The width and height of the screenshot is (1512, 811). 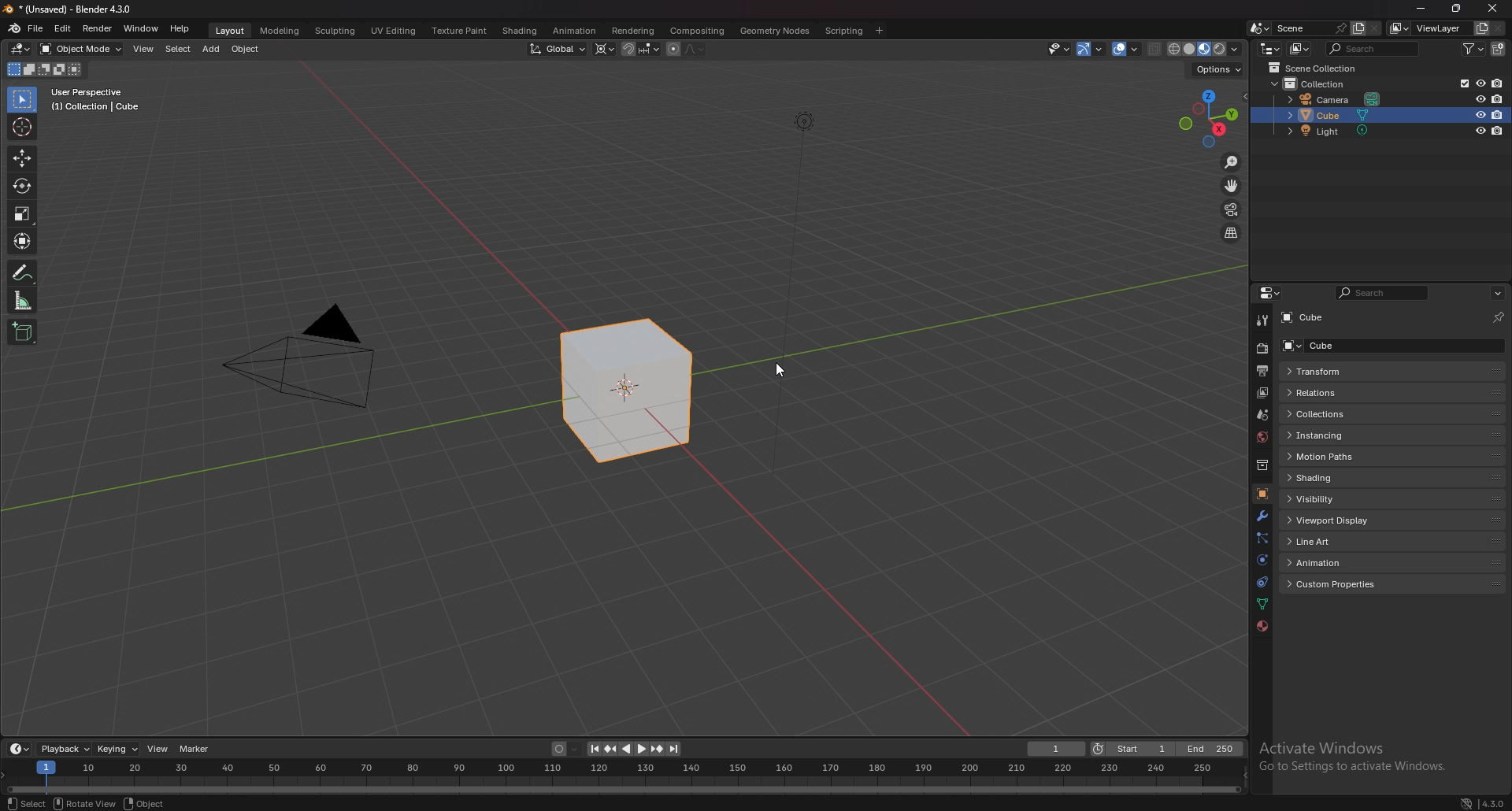 I want to click on instancing, so click(x=1339, y=436).